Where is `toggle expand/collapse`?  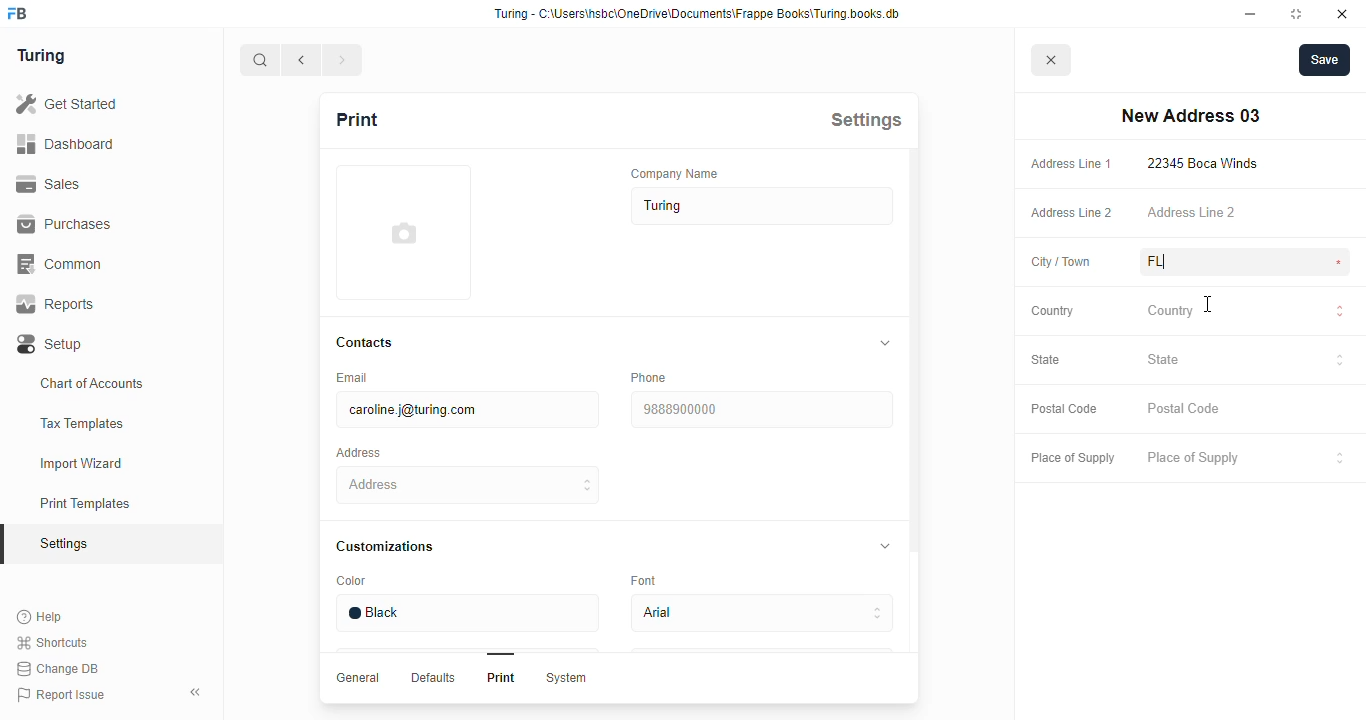
toggle expand/collapse is located at coordinates (881, 343).